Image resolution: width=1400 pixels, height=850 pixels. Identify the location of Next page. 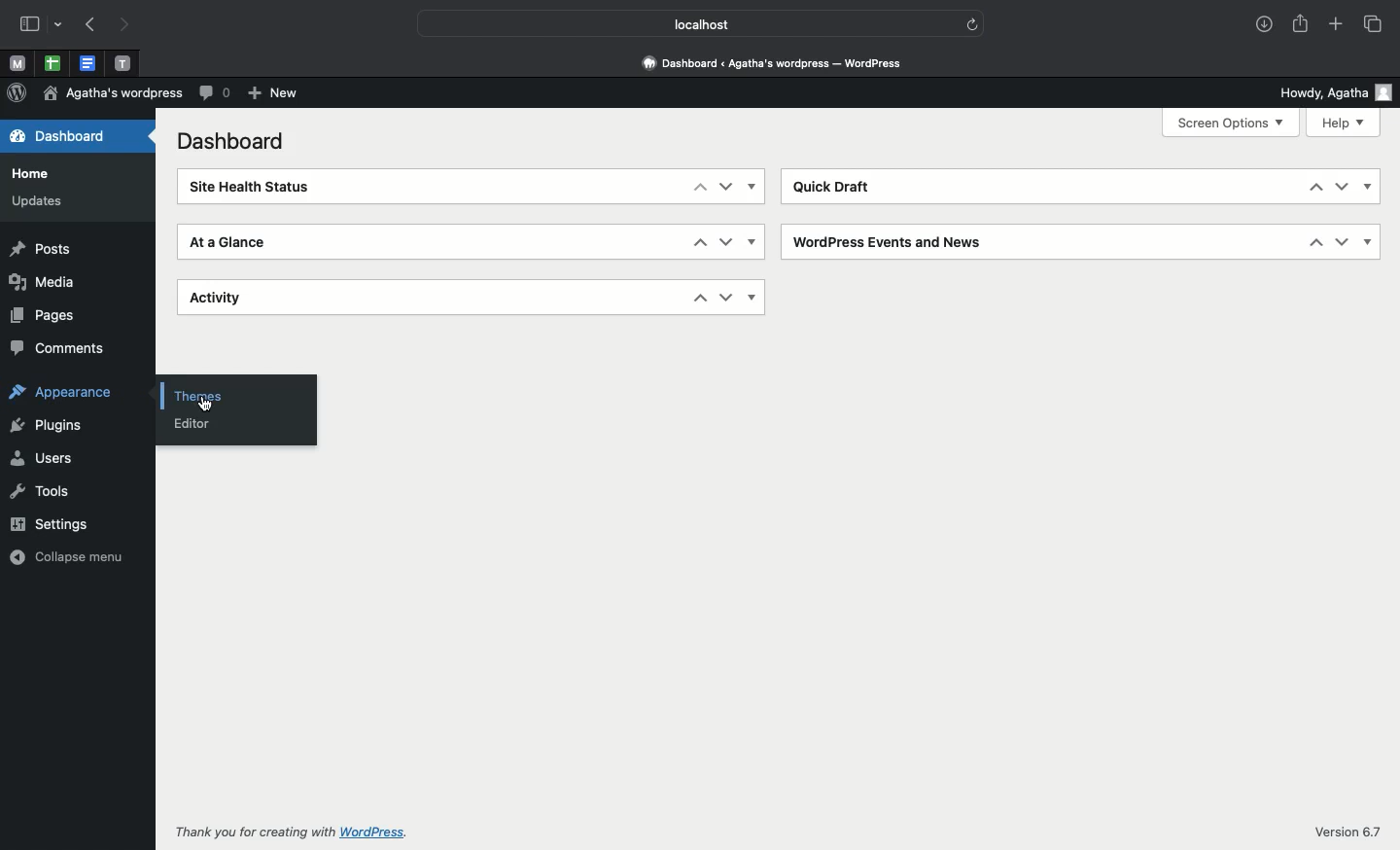
(124, 25).